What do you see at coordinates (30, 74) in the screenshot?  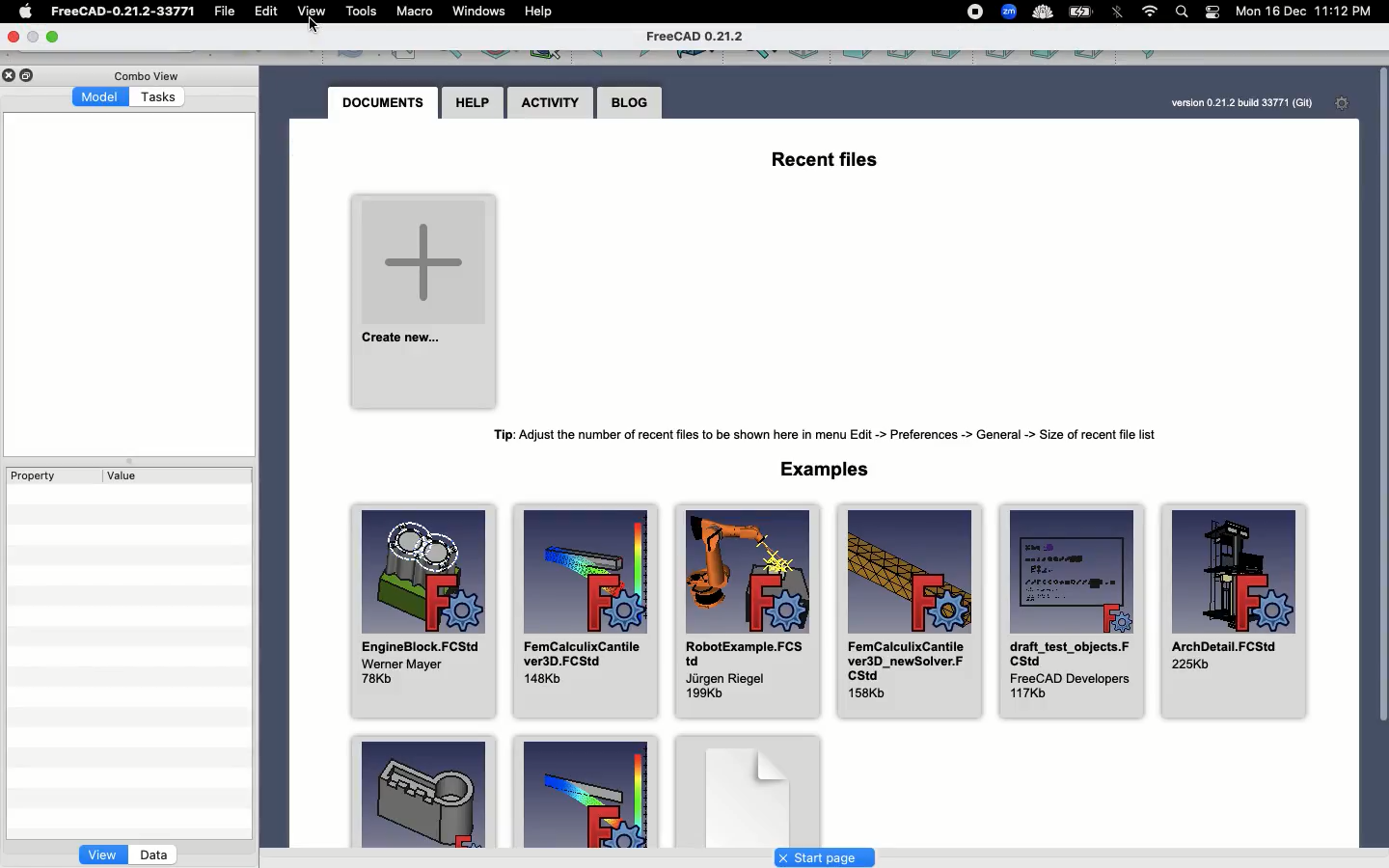 I see `Duplicate` at bounding box center [30, 74].